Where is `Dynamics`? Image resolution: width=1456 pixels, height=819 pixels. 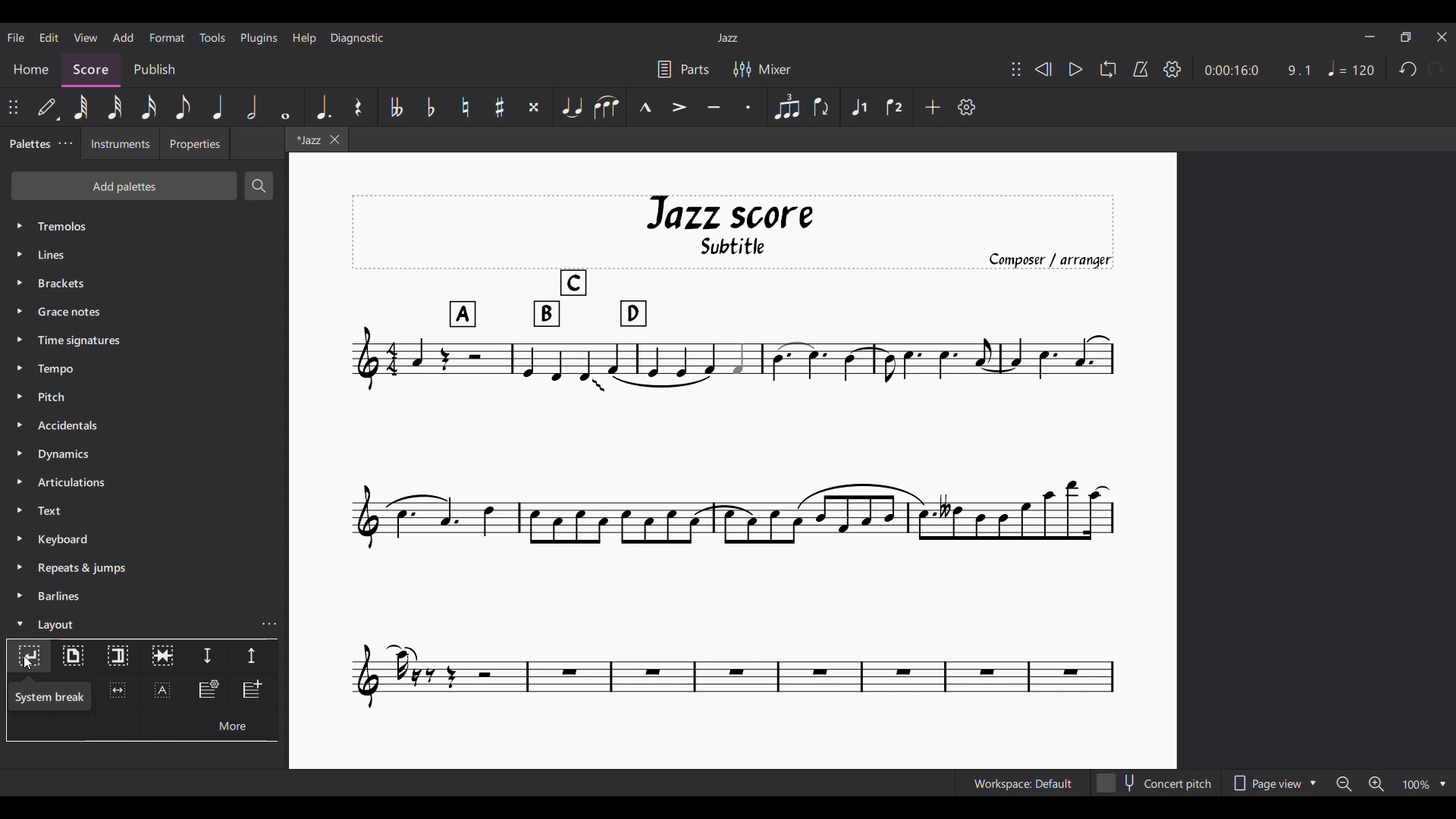
Dynamics is located at coordinates (144, 453).